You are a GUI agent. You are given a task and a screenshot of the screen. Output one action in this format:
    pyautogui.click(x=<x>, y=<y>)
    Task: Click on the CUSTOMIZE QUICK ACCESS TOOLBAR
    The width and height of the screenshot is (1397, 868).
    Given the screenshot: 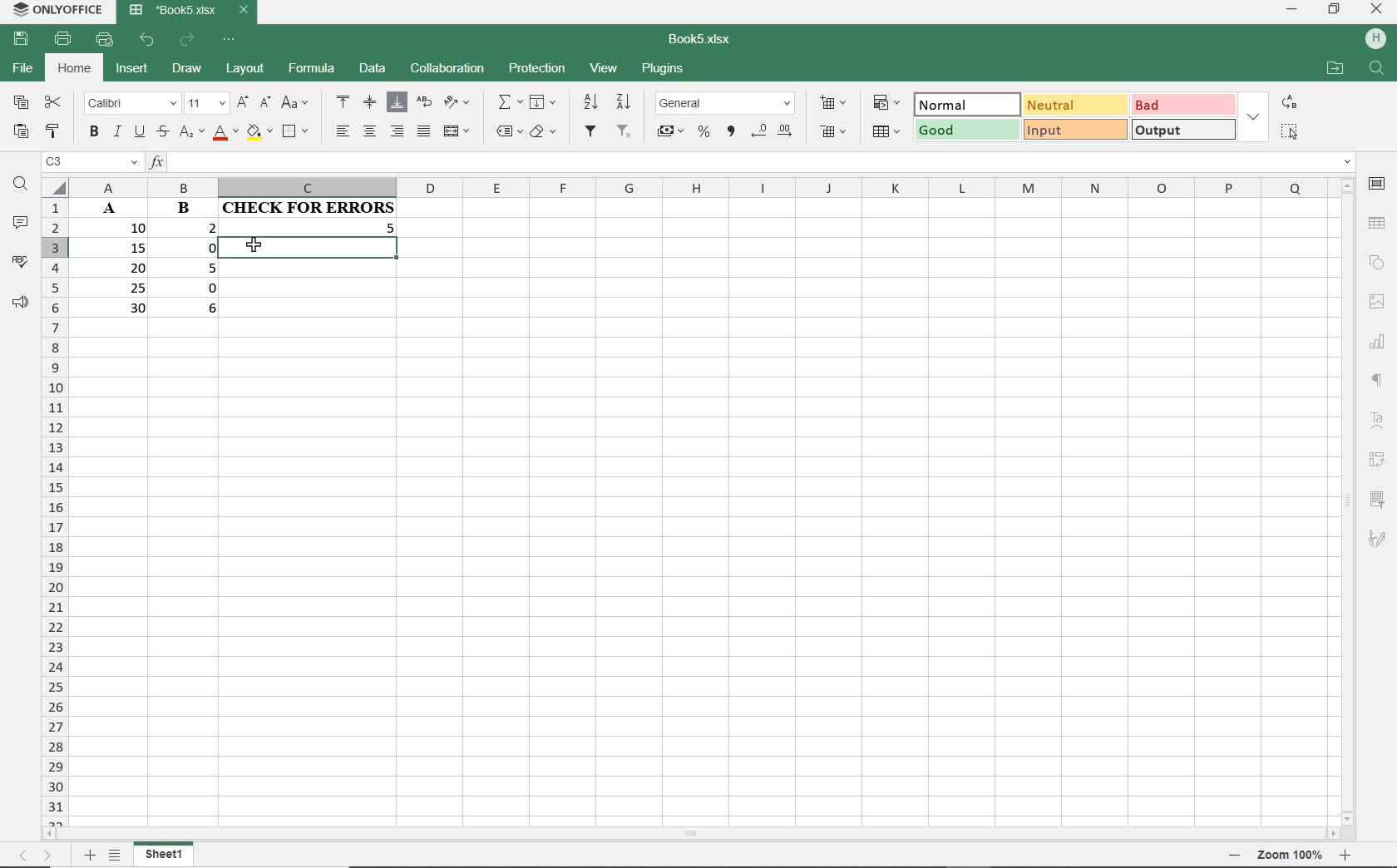 What is the action you would take?
    pyautogui.click(x=228, y=40)
    